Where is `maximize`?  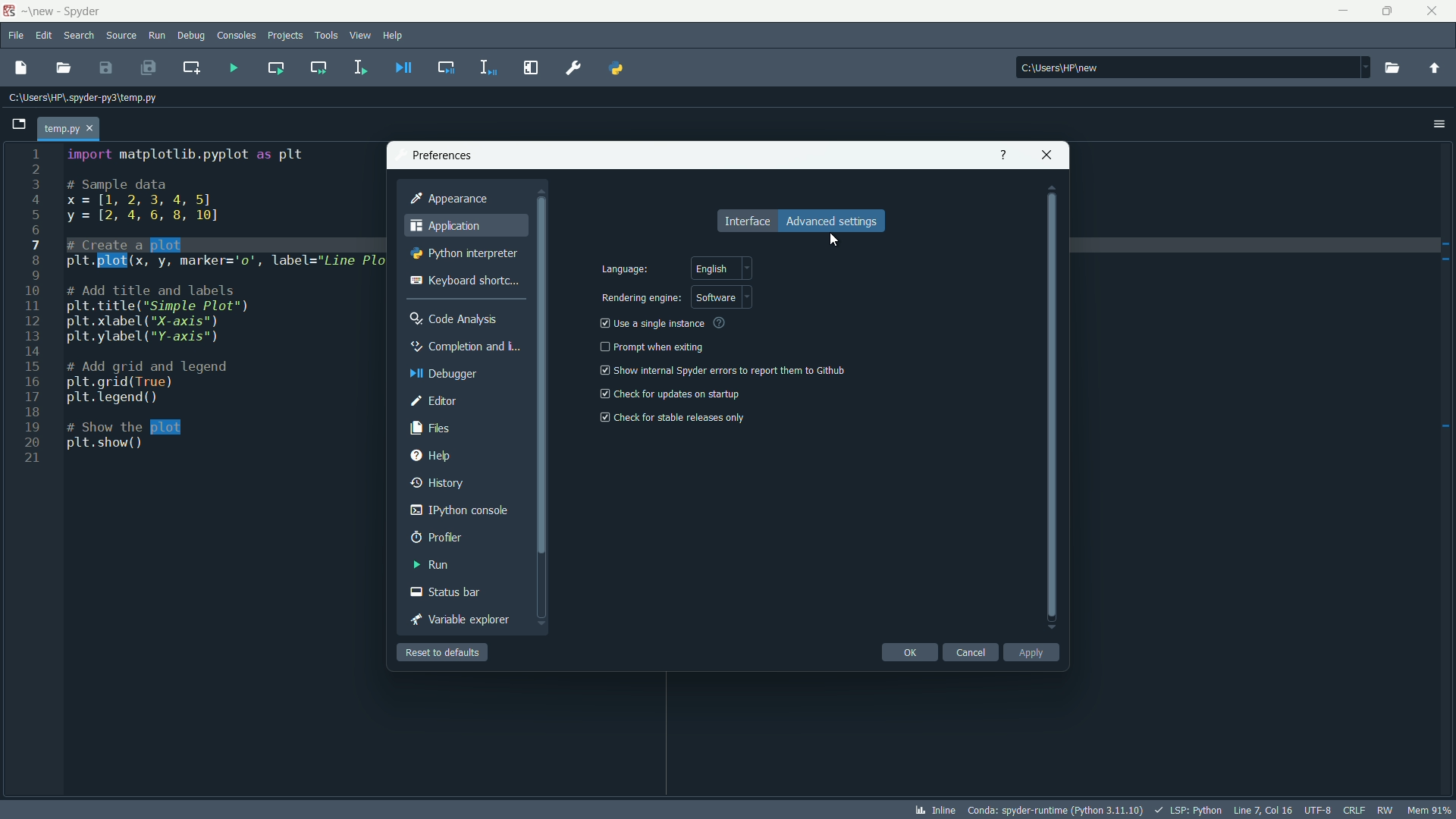
maximize is located at coordinates (1390, 11).